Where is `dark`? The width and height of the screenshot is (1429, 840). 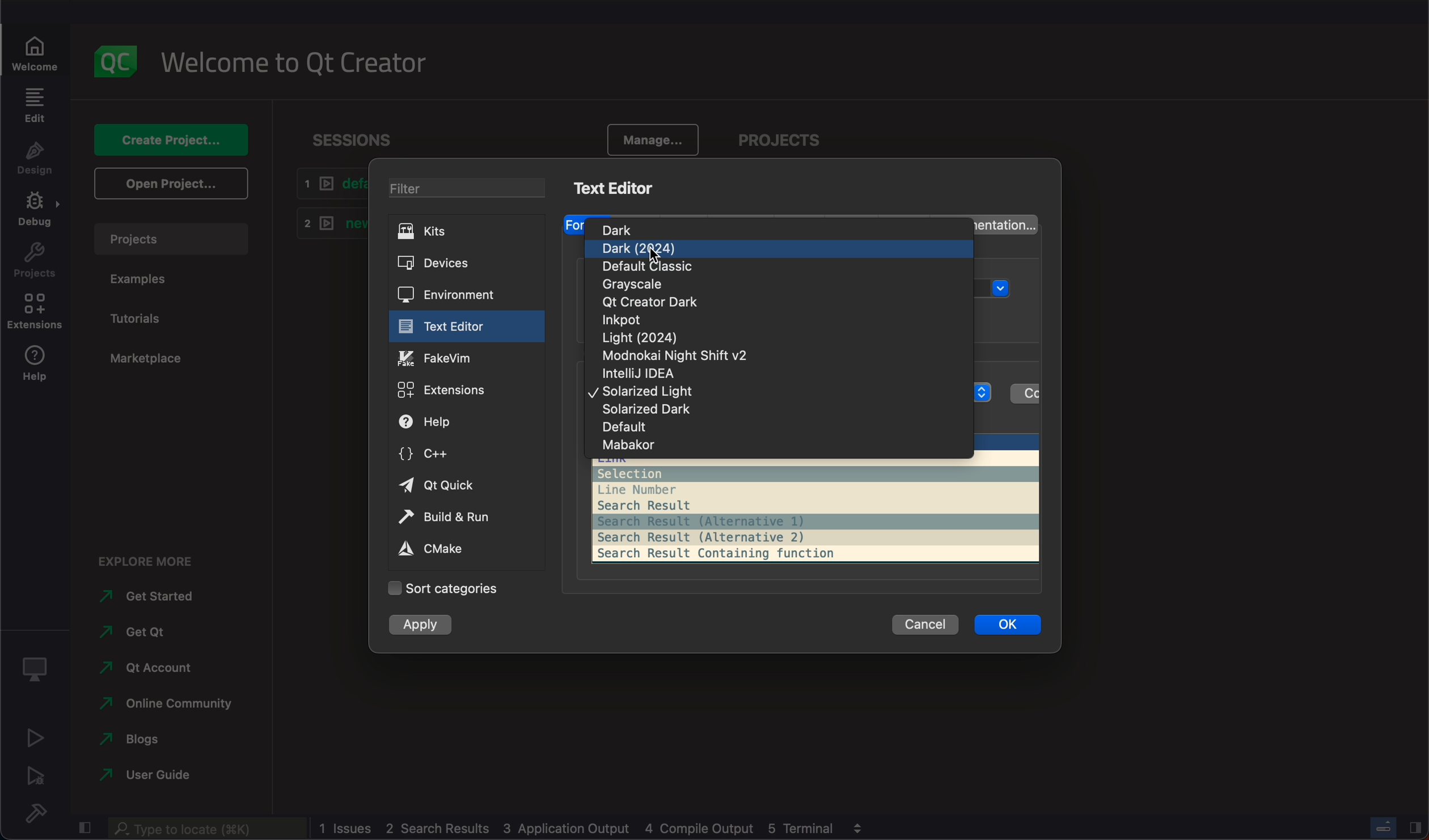 dark is located at coordinates (674, 229).